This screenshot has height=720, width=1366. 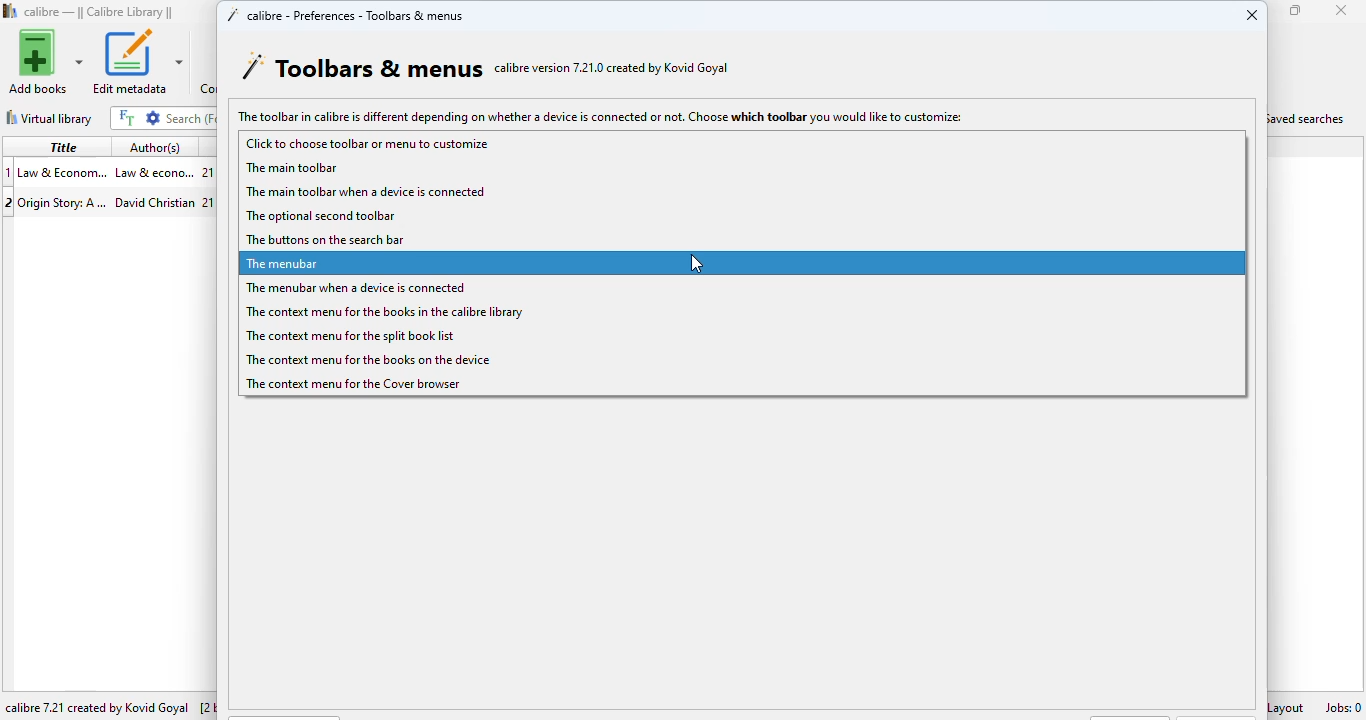 What do you see at coordinates (320, 216) in the screenshot?
I see `the optional second toolbar` at bounding box center [320, 216].